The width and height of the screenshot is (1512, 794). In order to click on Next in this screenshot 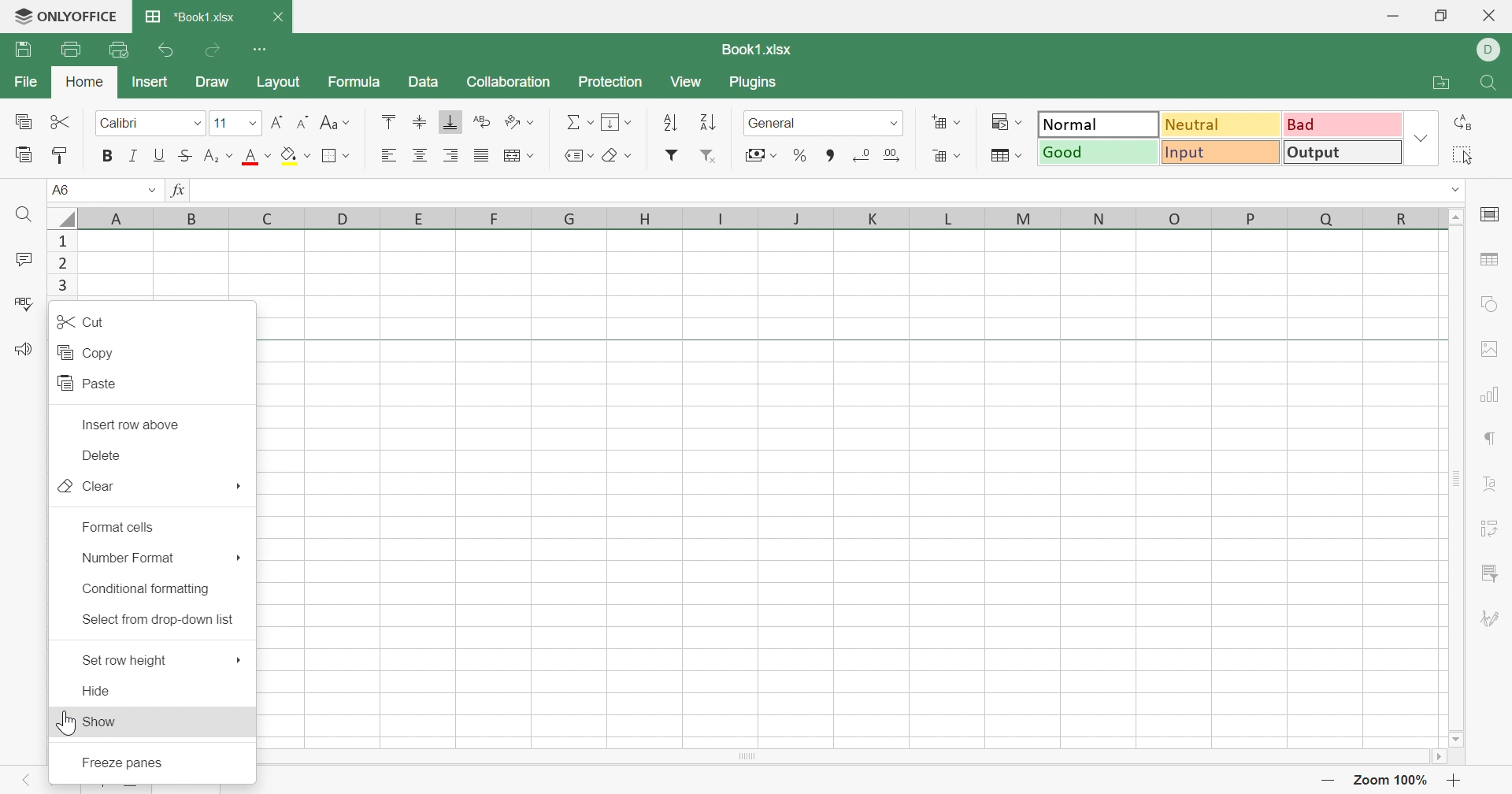, I will do `click(54, 783)`.